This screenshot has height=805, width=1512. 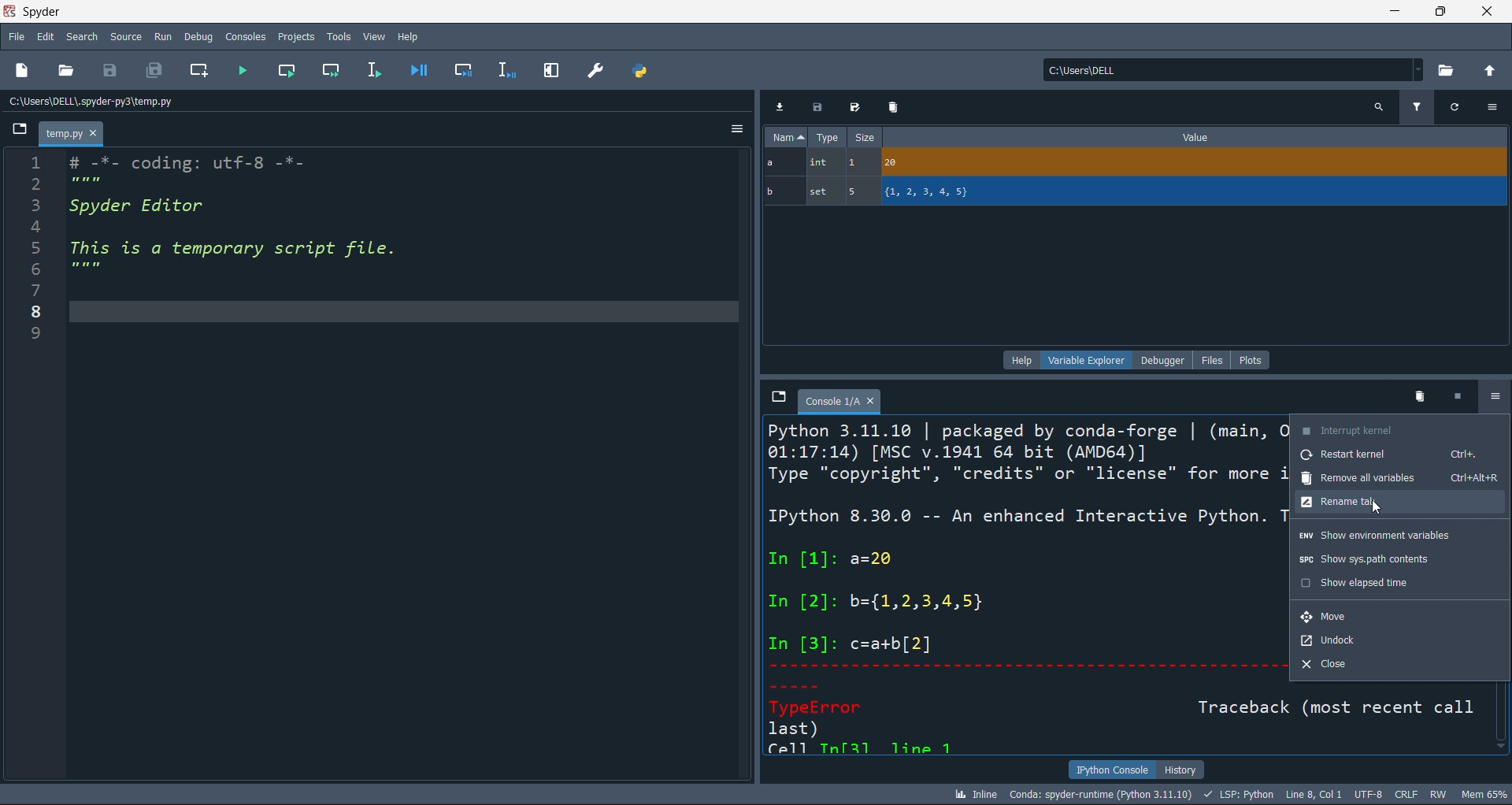 I want to click on delete, so click(x=1417, y=395).